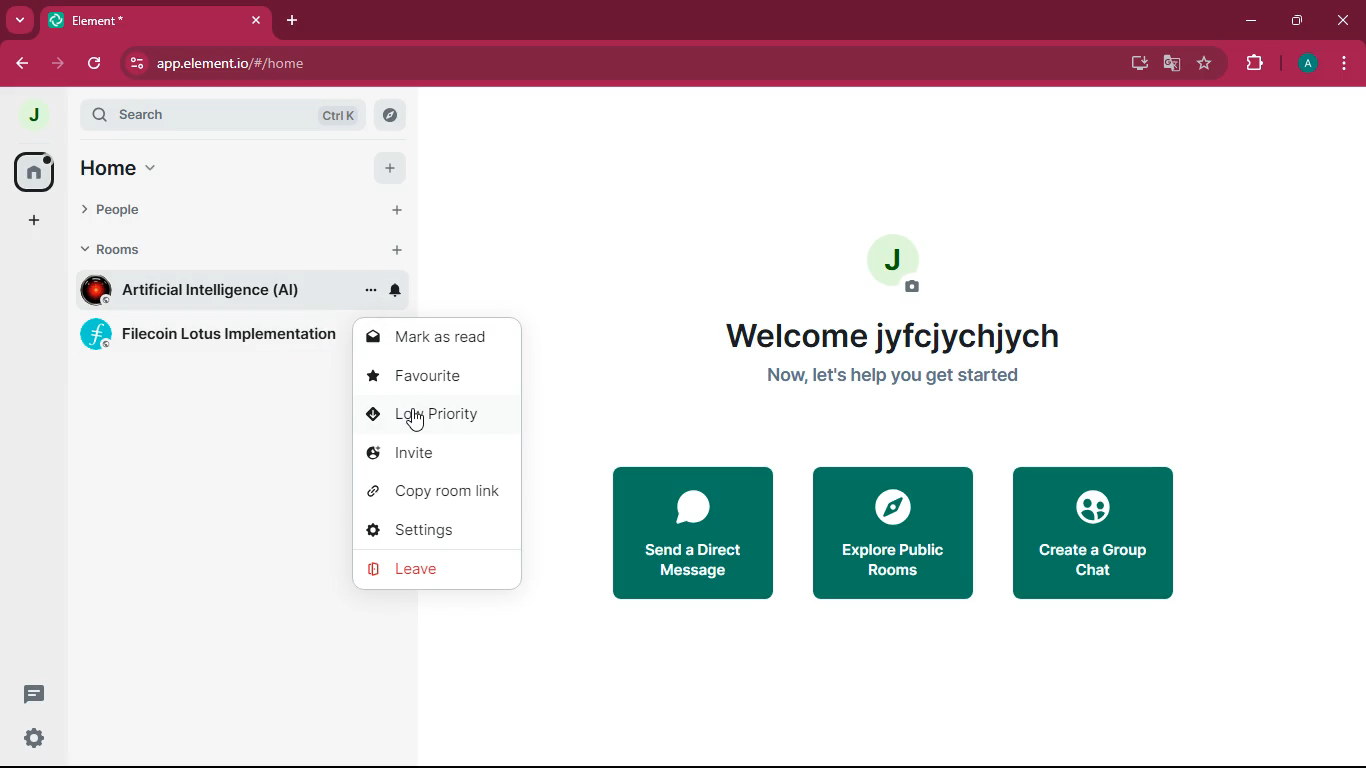 Image resolution: width=1366 pixels, height=768 pixels. What do you see at coordinates (219, 116) in the screenshot?
I see `search` at bounding box center [219, 116].